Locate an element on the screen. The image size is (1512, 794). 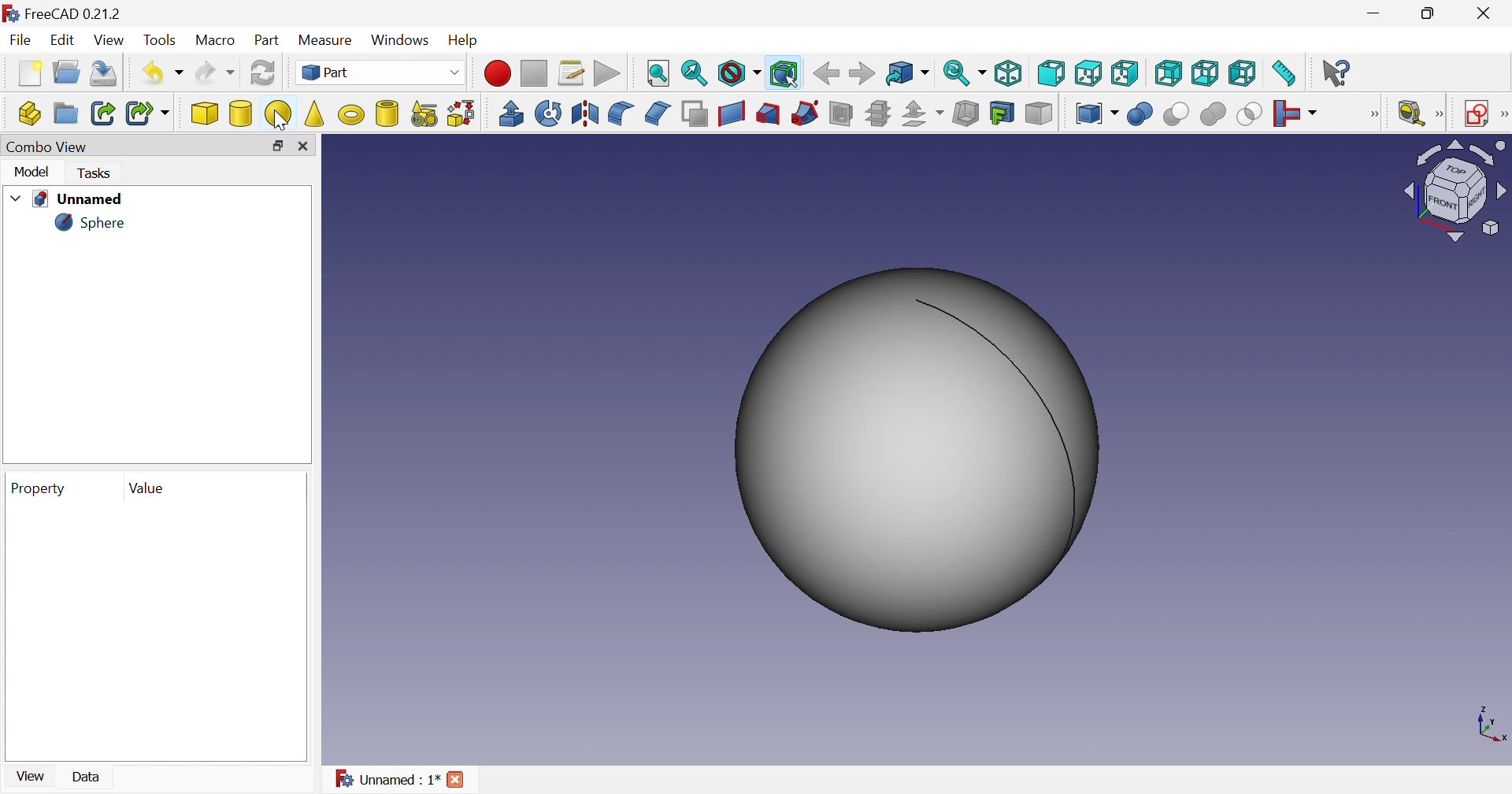
Measure is located at coordinates (326, 39).